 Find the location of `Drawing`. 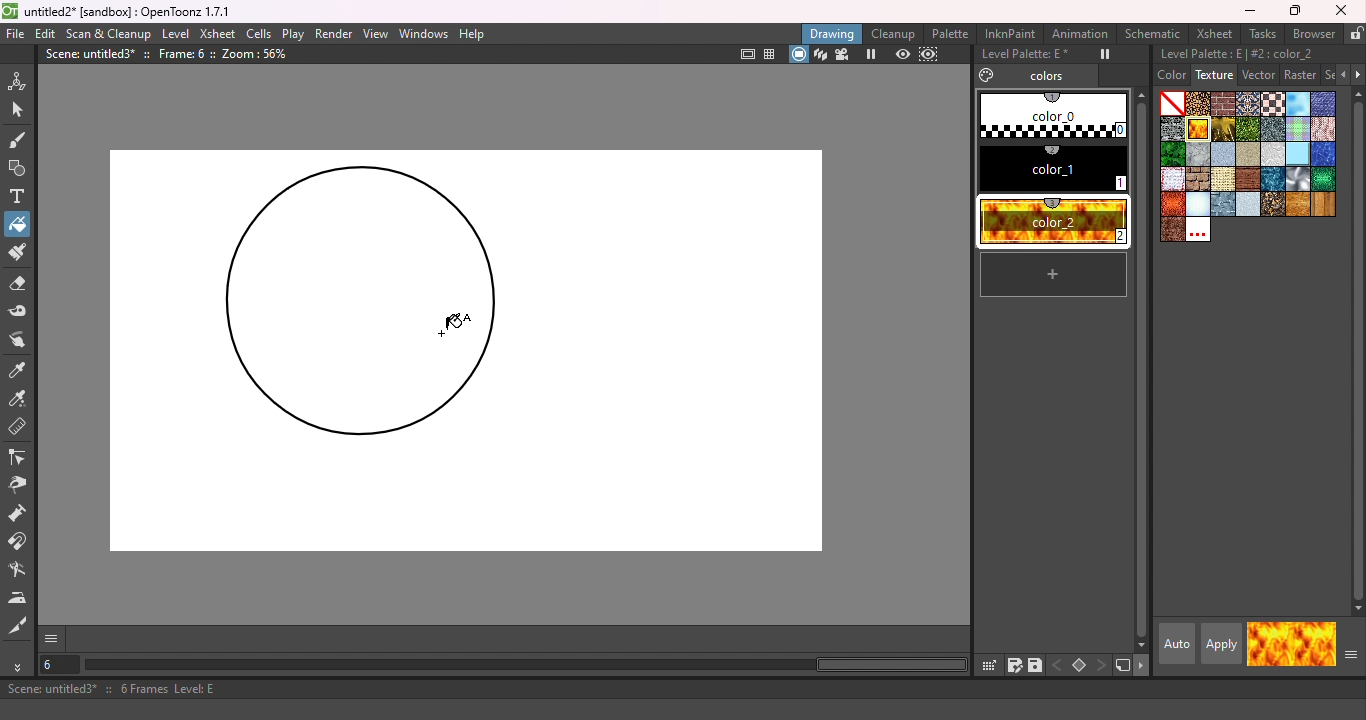

Drawing is located at coordinates (833, 33).